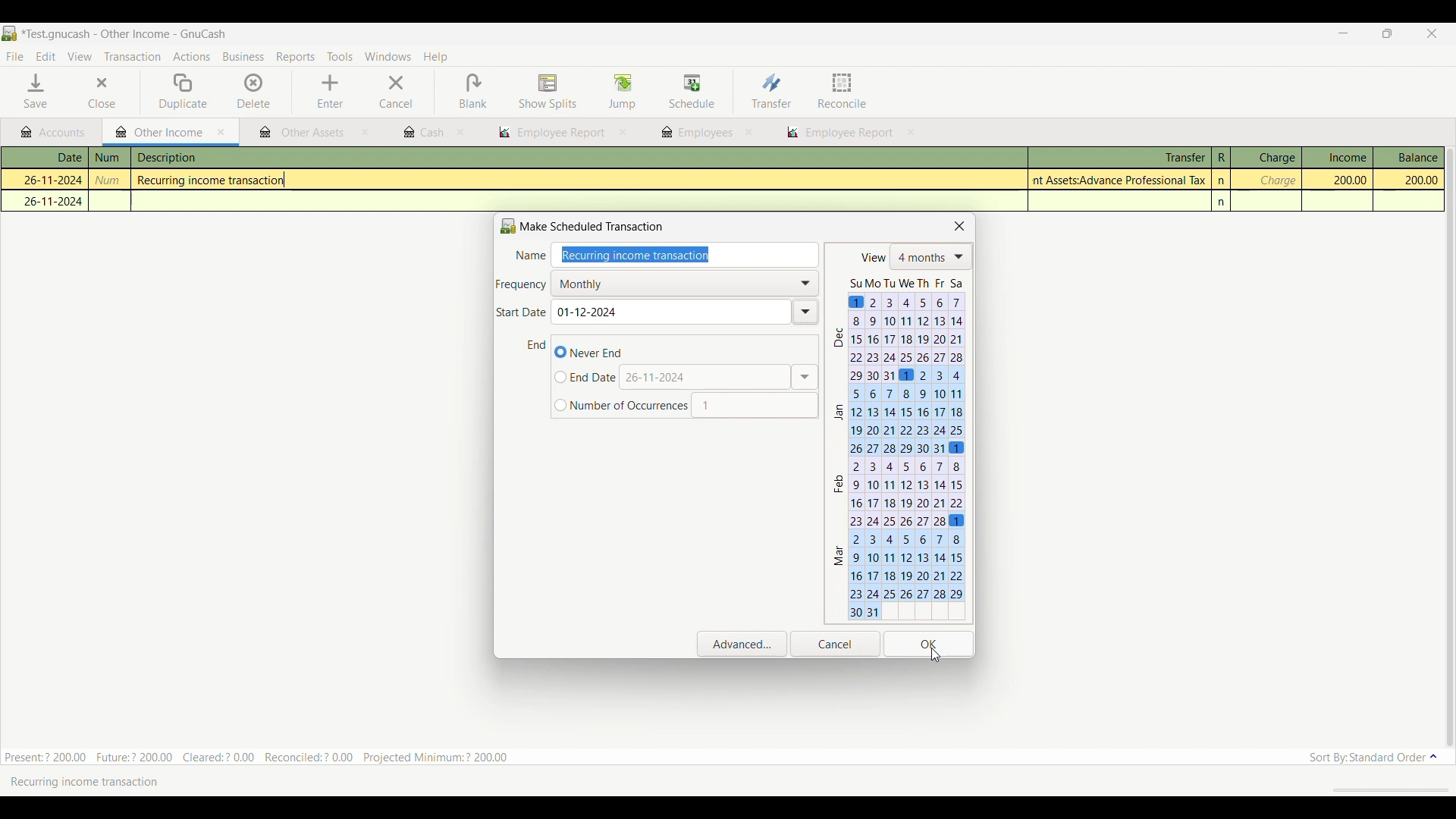 The width and height of the screenshot is (1456, 819). What do you see at coordinates (472, 92) in the screenshot?
I see `Blank` at bounding box center [472, 92].